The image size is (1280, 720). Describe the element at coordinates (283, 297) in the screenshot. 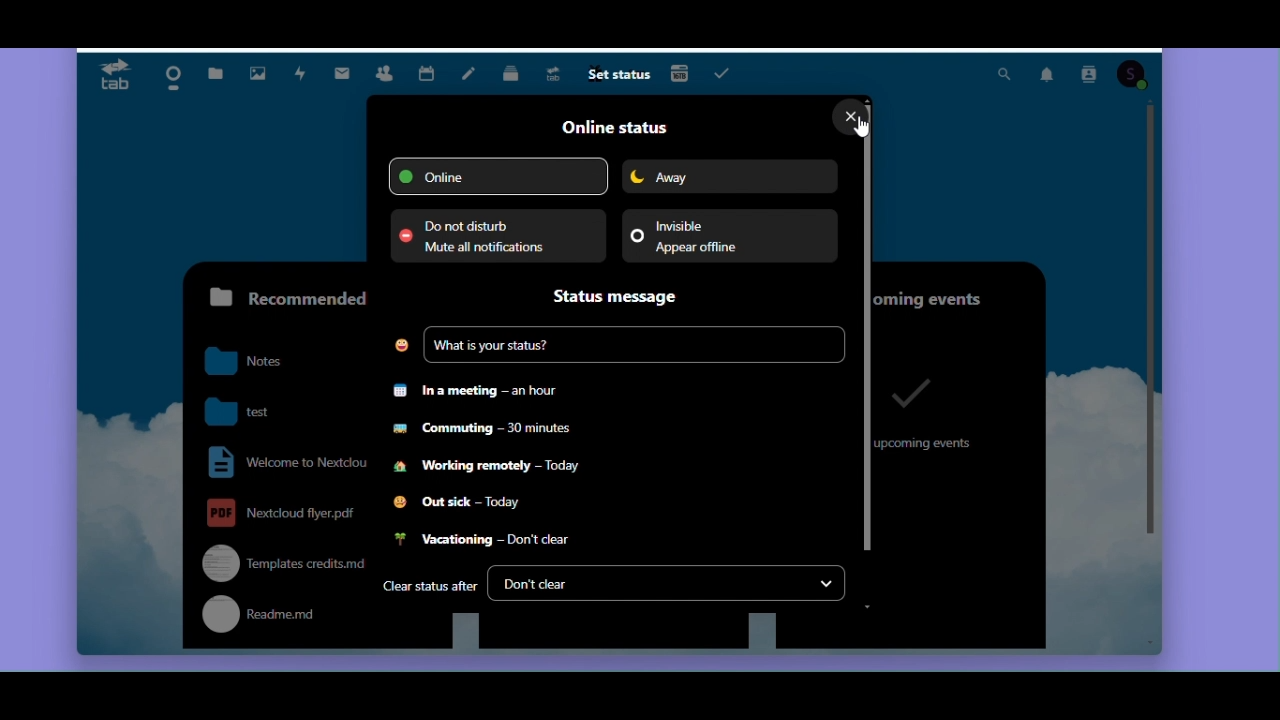

I see `Recommended files` at that location.